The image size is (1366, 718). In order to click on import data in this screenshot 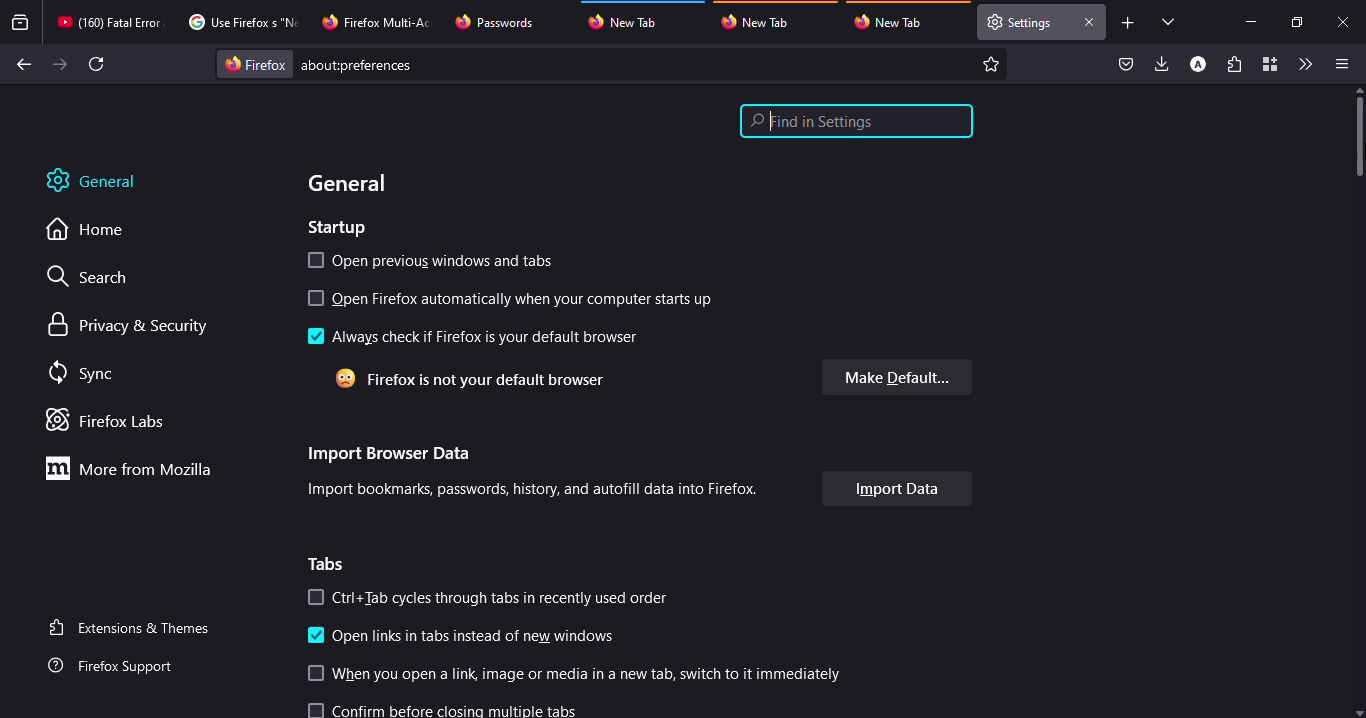, I will do `click(896, 488)`.